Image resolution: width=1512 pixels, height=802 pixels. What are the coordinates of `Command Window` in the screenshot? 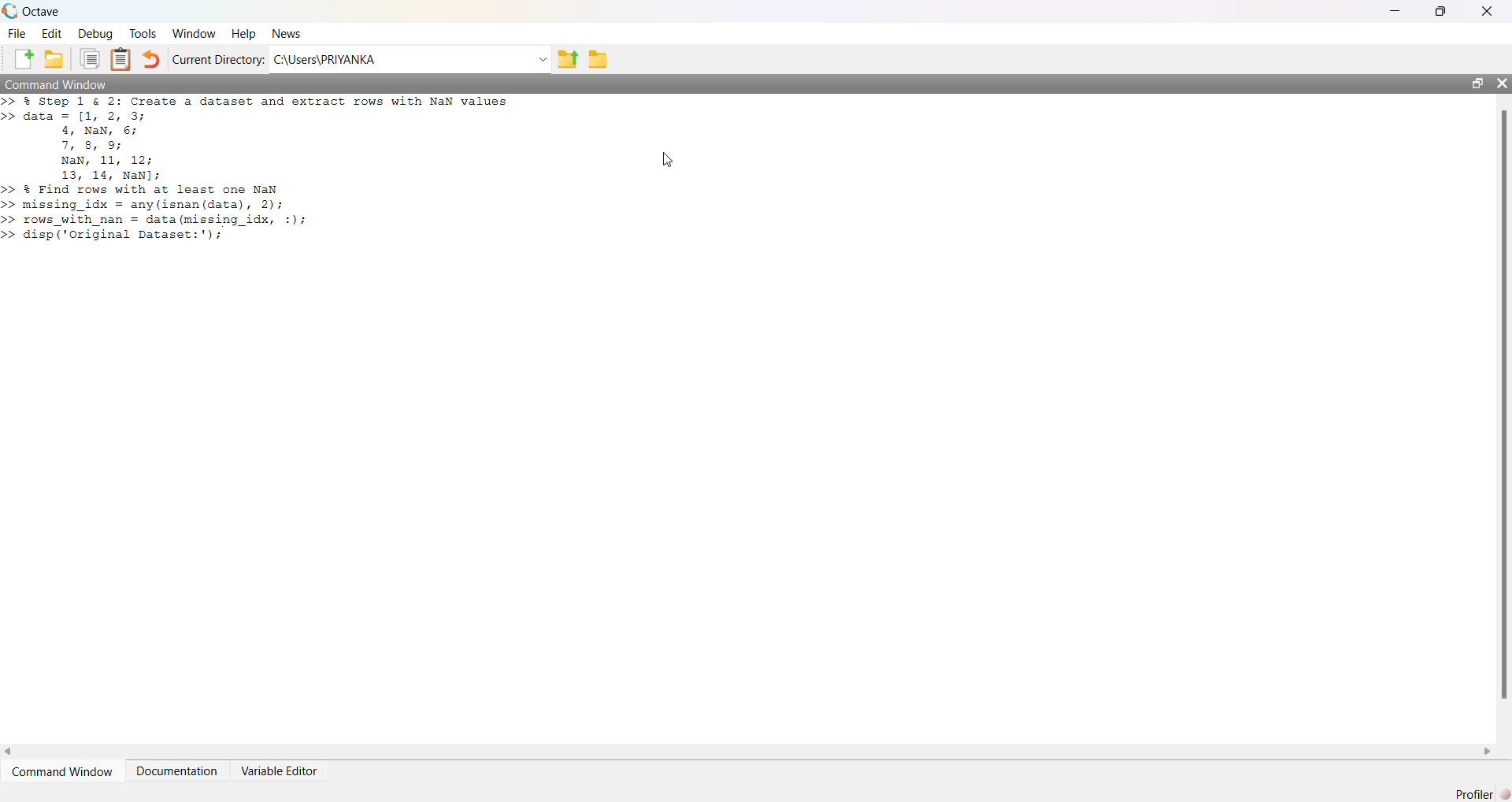 It's located at (57, 84).